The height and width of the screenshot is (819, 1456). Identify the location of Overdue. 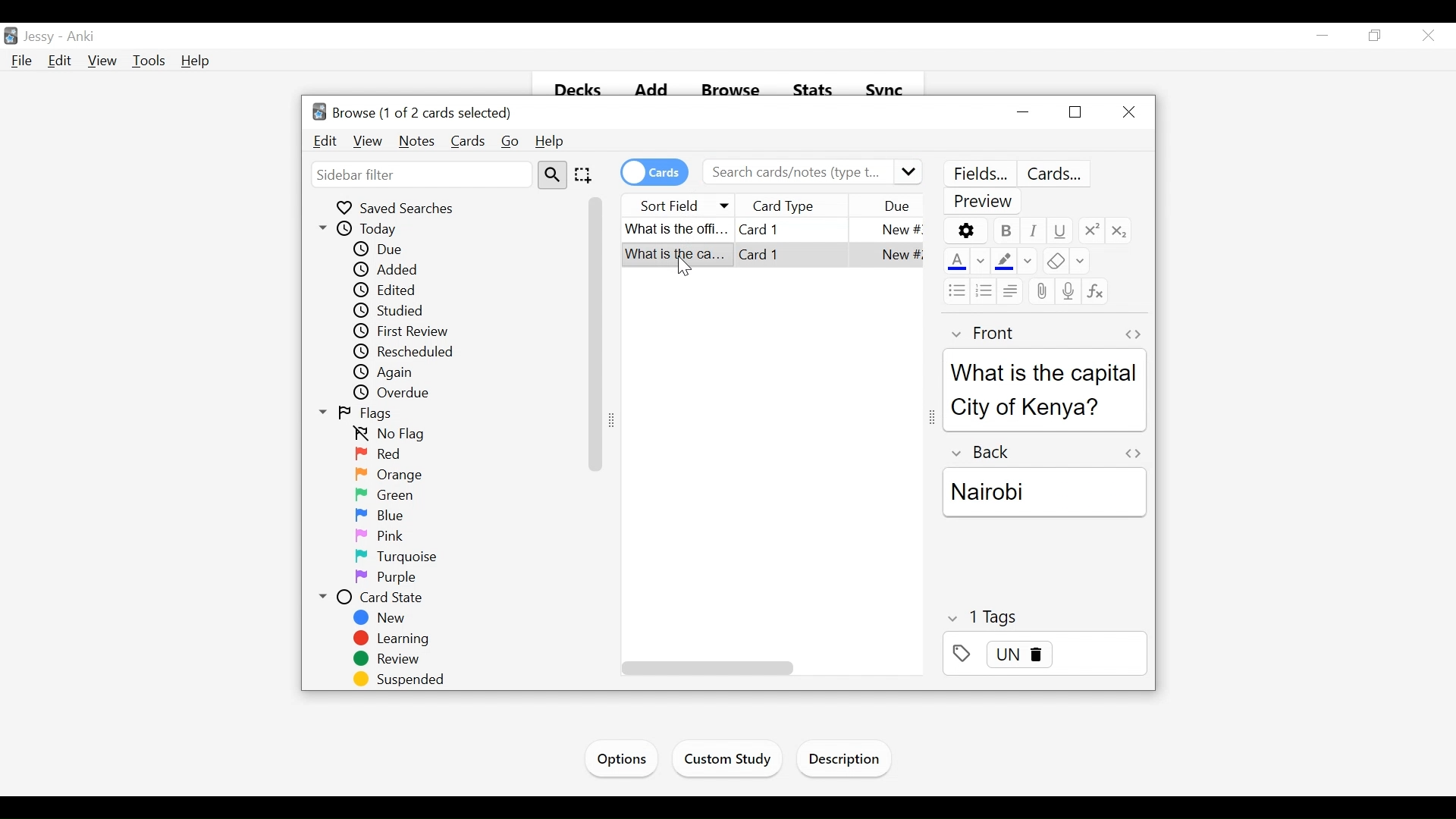
(397, 393).